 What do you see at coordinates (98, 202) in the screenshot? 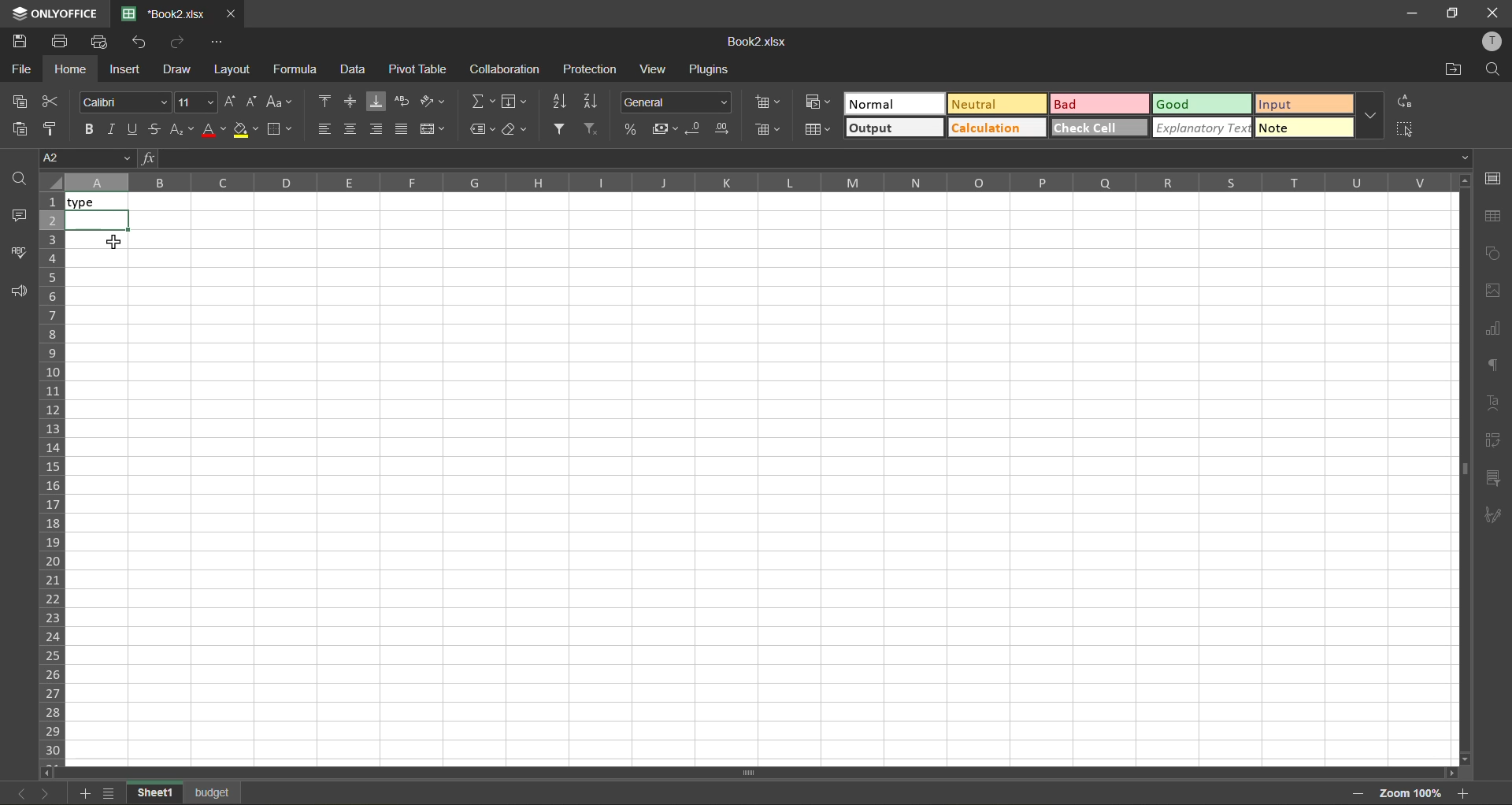
I see `typed data` at bounding box center [98, 202].